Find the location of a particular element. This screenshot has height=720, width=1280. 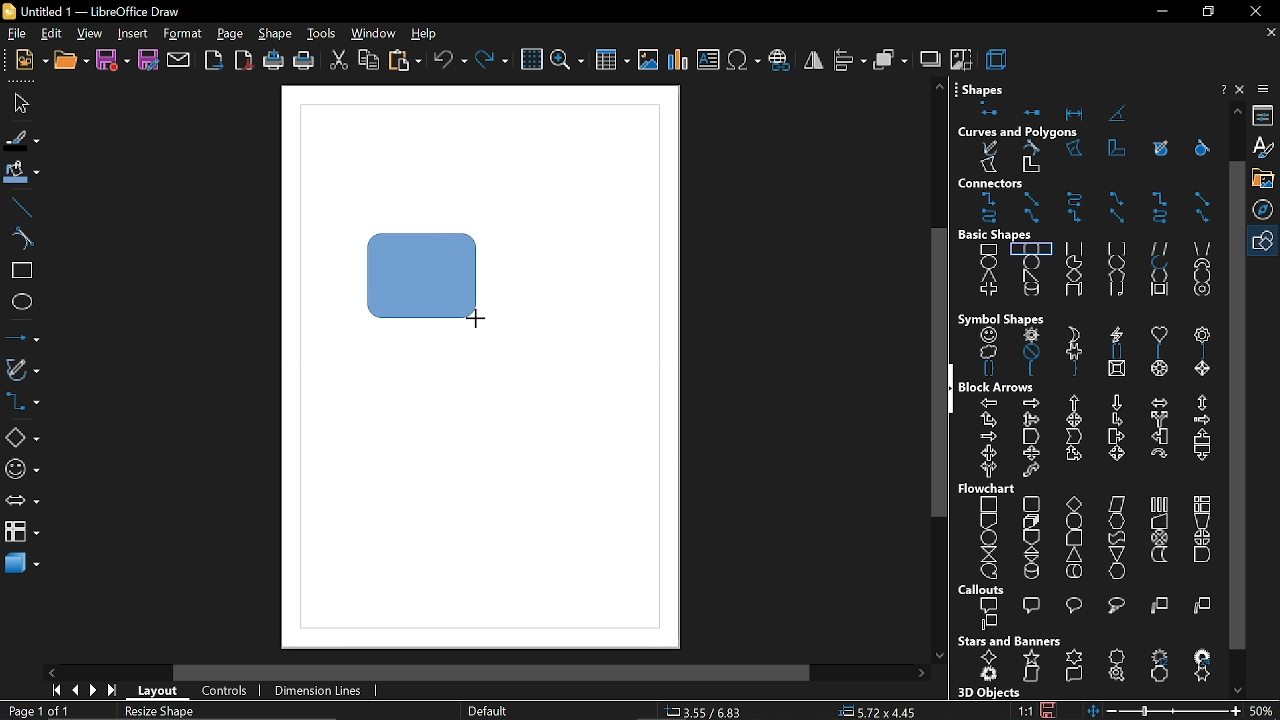

select is located at coordinates (18, 102).